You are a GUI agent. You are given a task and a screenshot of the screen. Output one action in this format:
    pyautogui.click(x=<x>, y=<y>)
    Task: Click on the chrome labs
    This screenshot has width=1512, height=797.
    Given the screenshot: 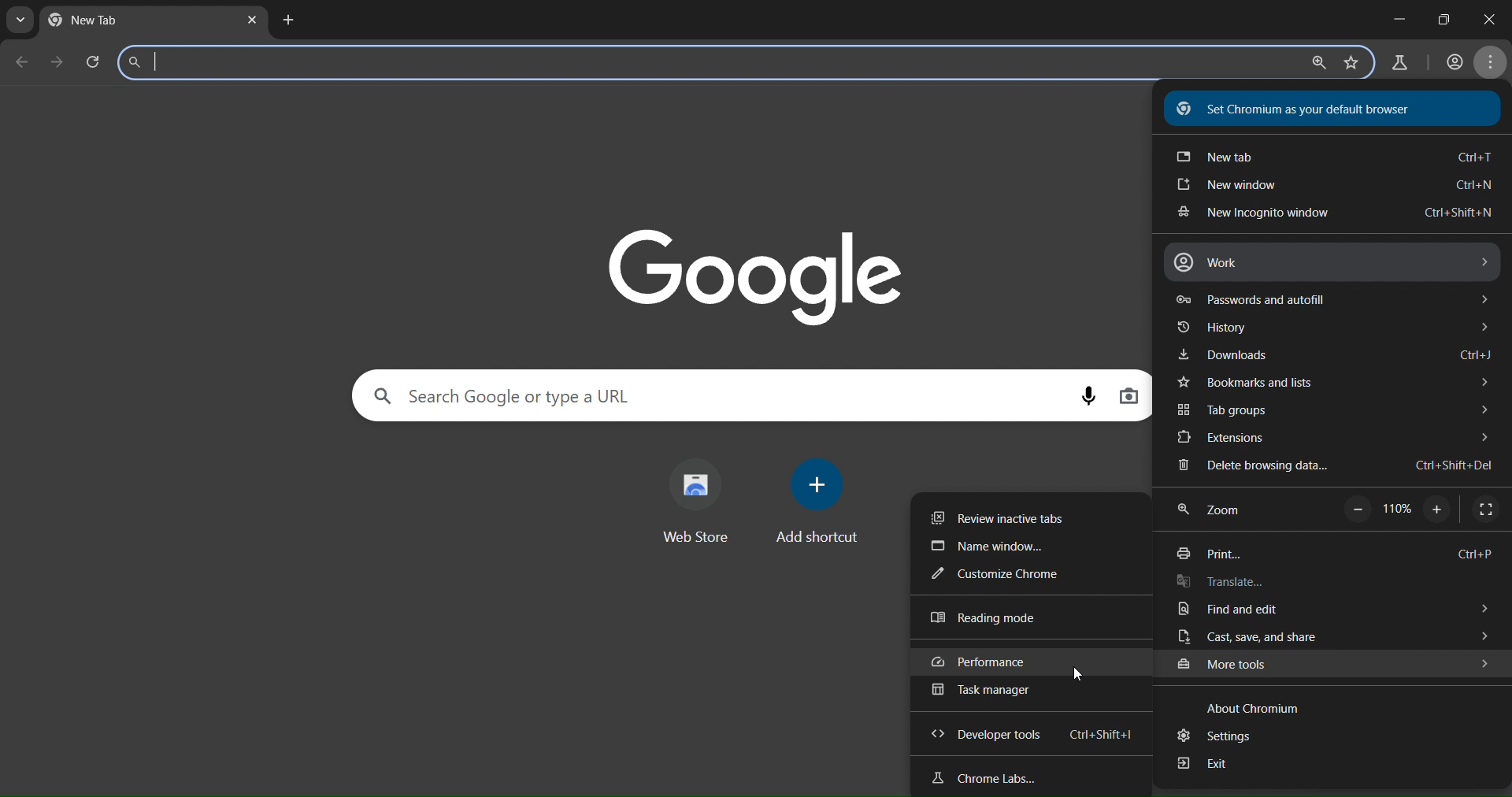 What is the action you would take?
    pyautogui.click(x=988, y=778)
    